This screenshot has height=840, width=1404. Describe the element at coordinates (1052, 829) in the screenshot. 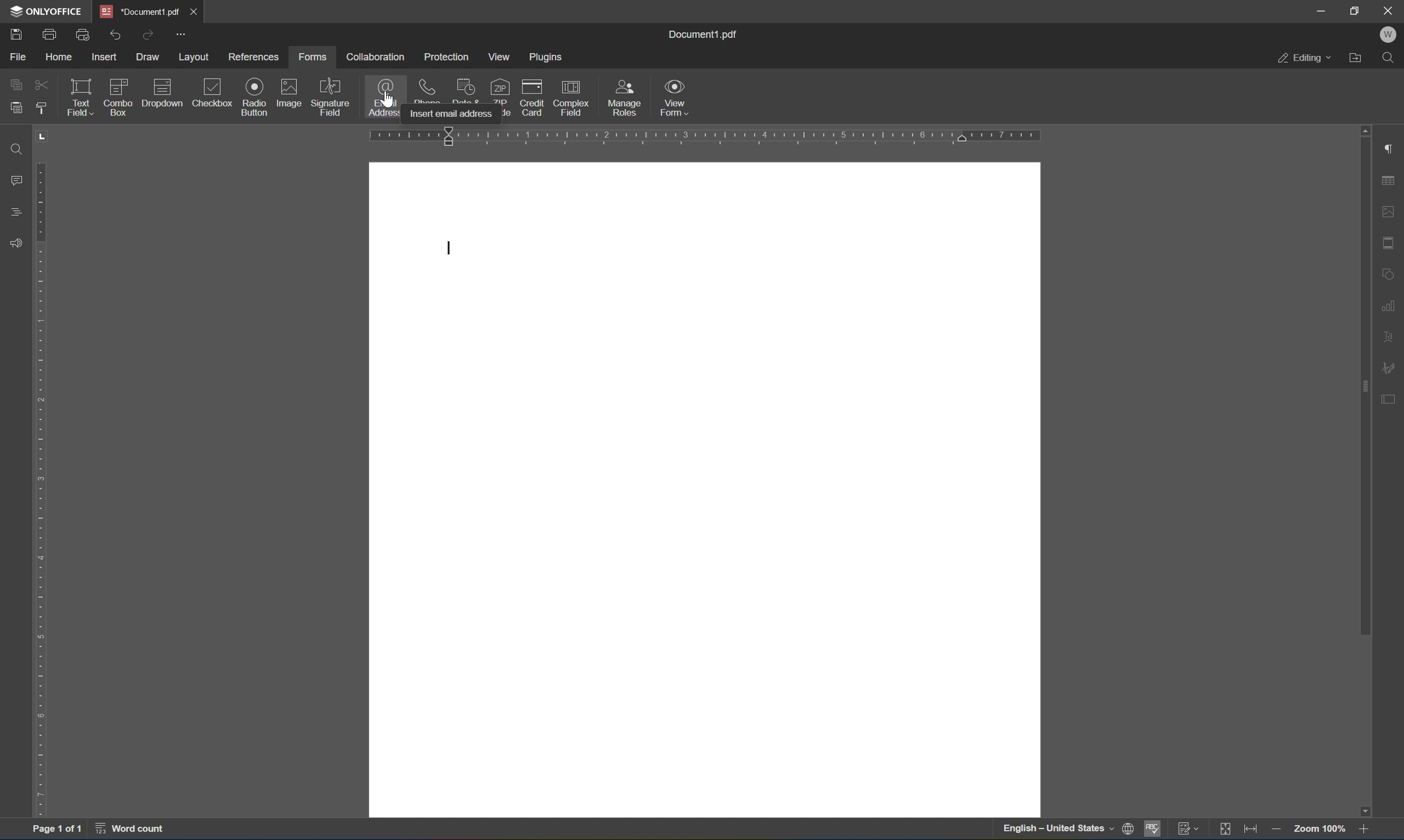

I see `english- United States` at that location.